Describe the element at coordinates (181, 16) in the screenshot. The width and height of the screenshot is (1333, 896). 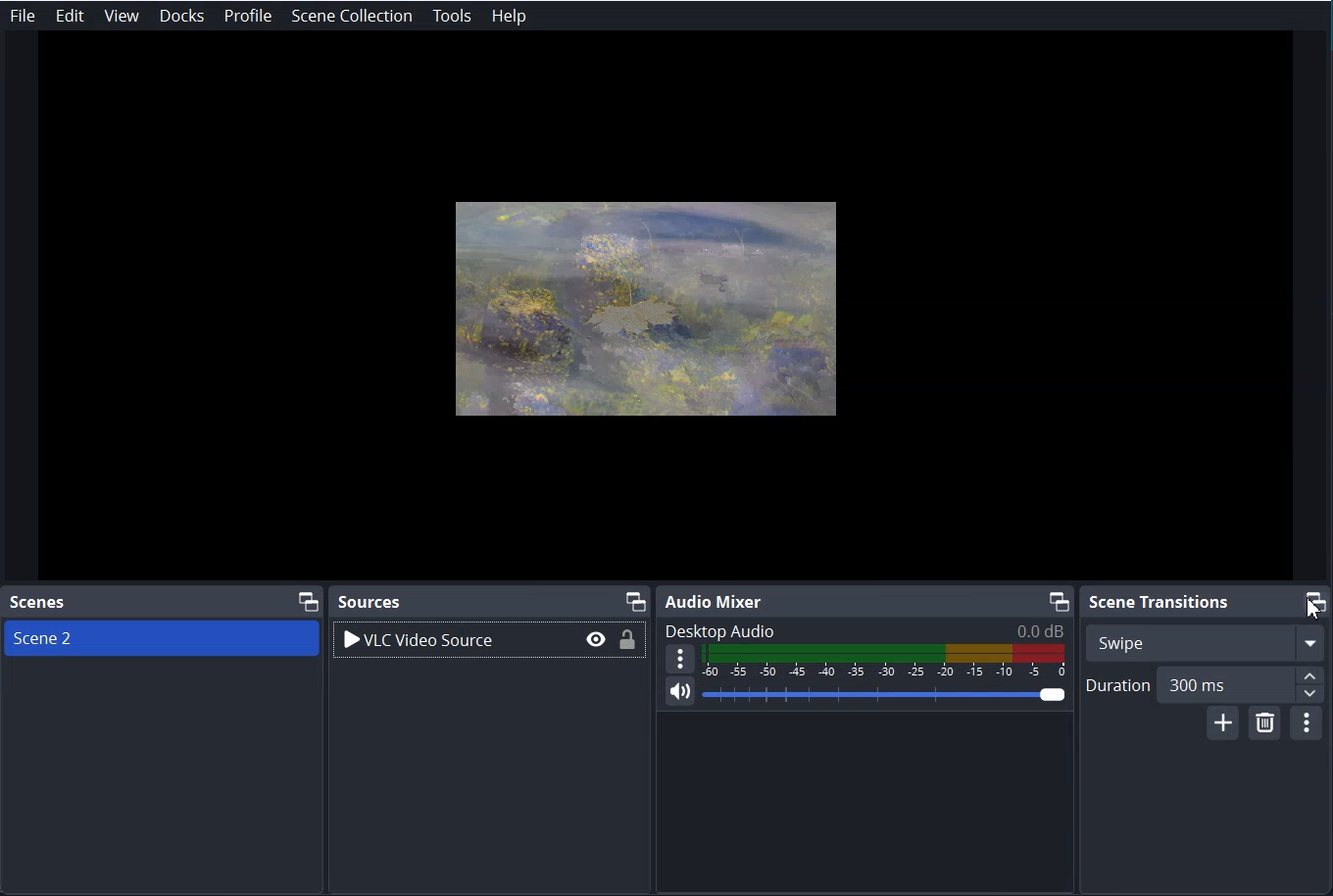
I see `Docks` at that location.